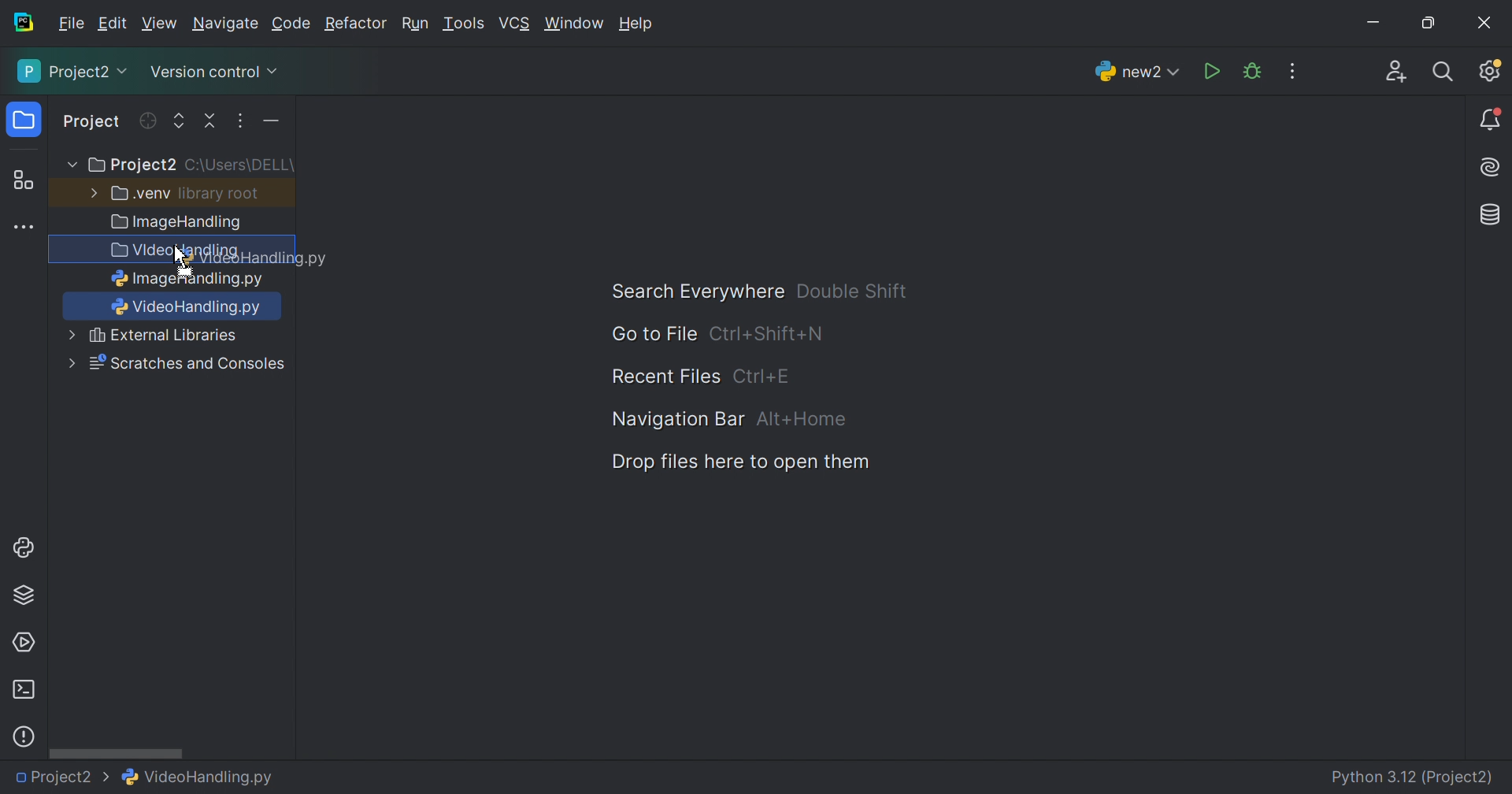 Image resolution: width=1512 pixels, height=794 pixels. Describe the element at coordinates (462, 24) in the screenshot. I see `Tools` at that location.